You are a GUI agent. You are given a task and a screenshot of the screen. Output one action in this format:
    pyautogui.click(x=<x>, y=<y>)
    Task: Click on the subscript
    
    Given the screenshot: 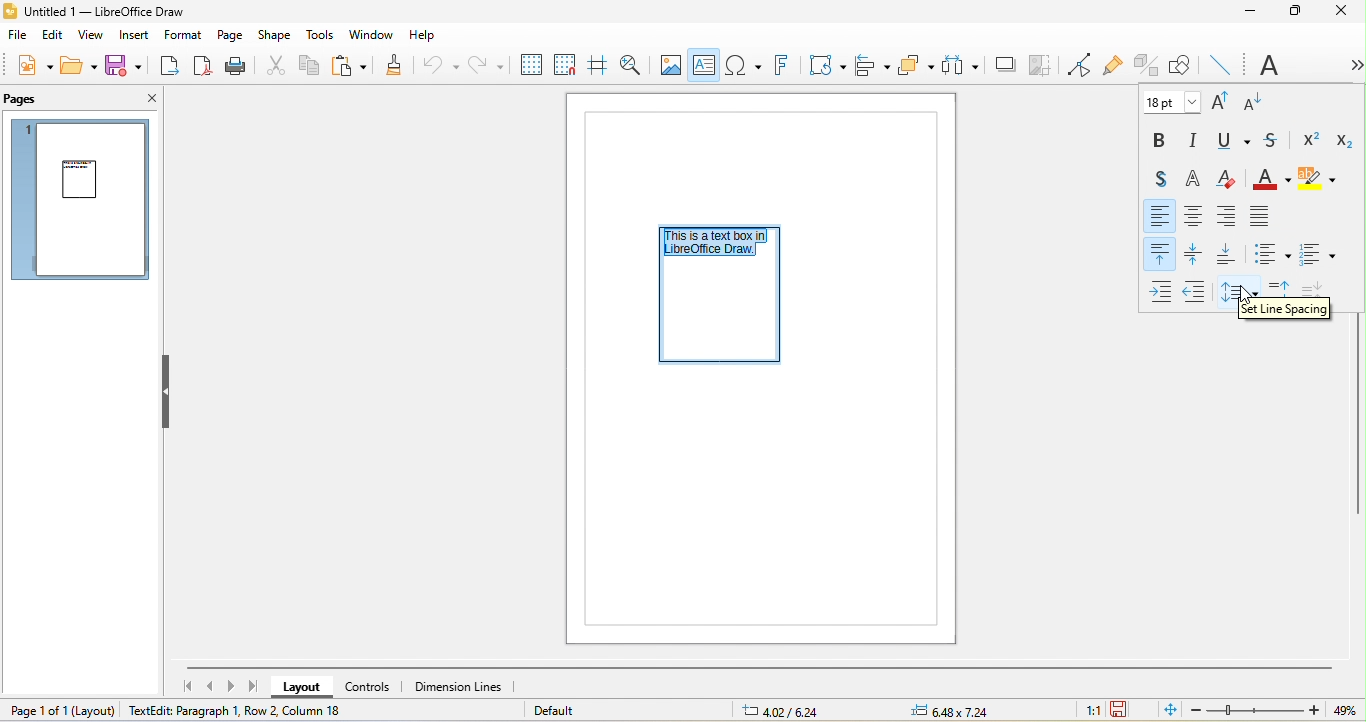 What is the action you would take?
    pyautogui.click(x=1343, y=140)
    